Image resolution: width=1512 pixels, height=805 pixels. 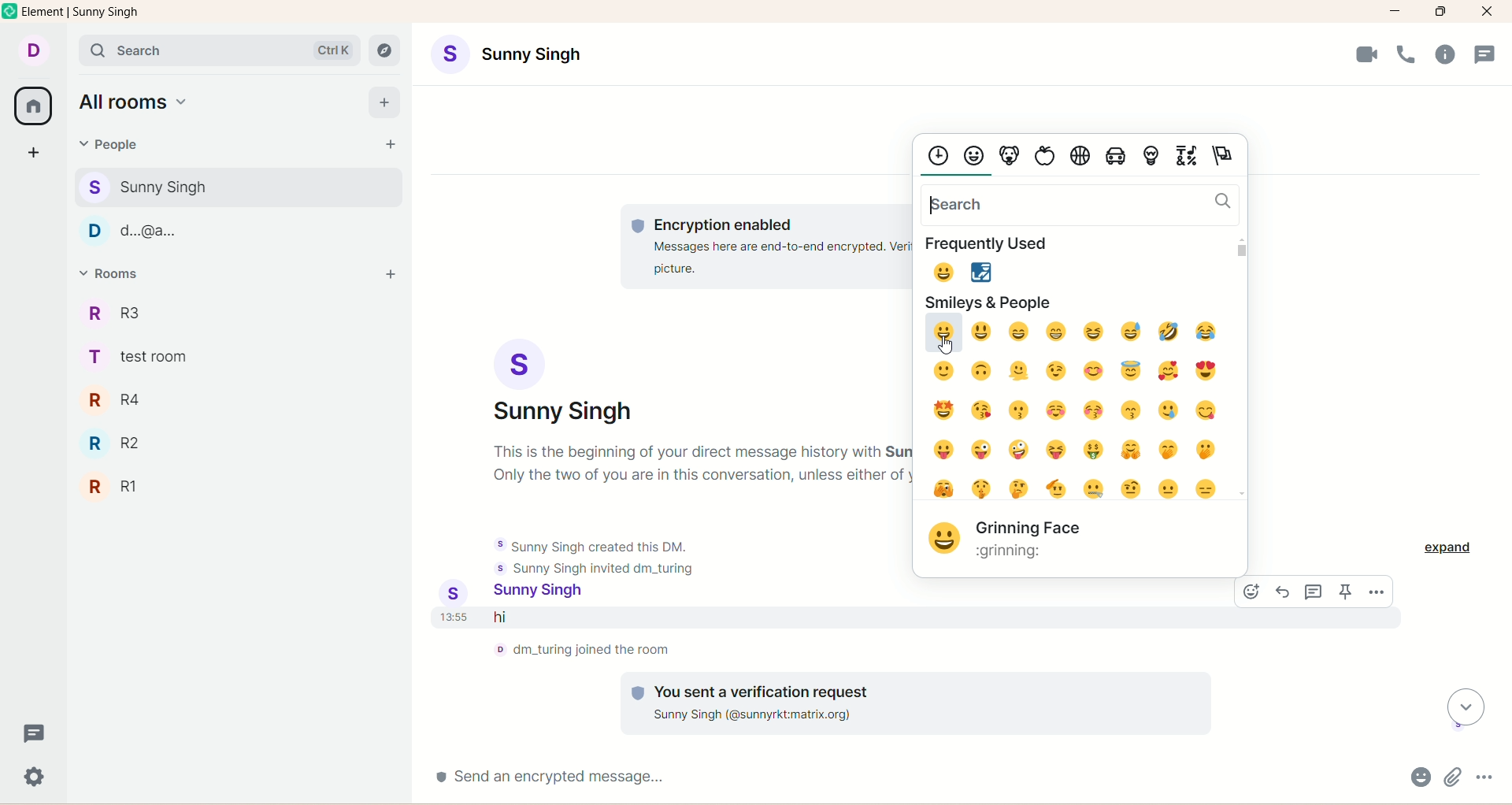 What do you see at coordinates (1406, 54) in the screenshot?
I see `voice call` at bounding box center [1406, 54].